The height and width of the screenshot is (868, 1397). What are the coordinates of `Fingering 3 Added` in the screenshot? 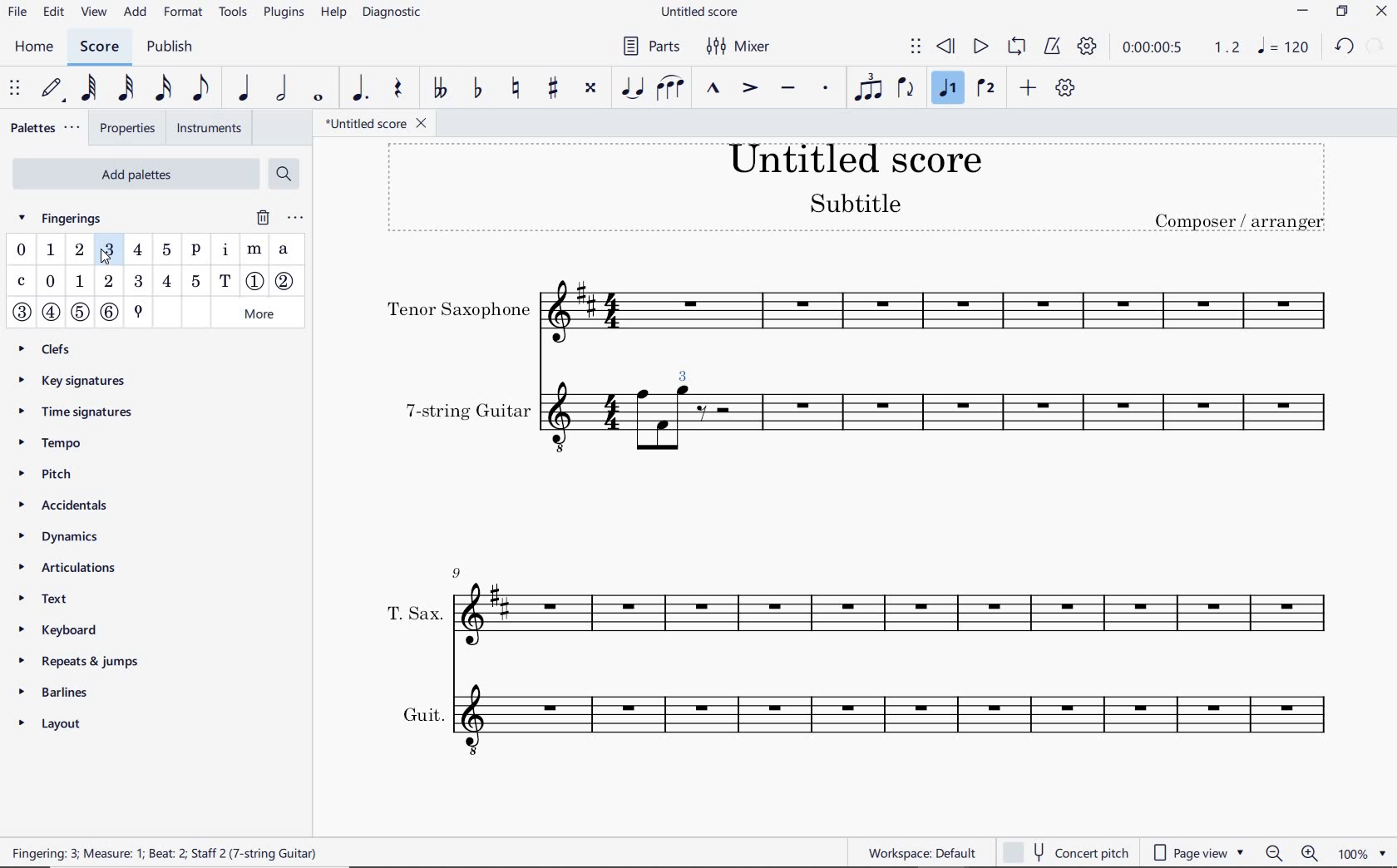 It's located at (683, 370).